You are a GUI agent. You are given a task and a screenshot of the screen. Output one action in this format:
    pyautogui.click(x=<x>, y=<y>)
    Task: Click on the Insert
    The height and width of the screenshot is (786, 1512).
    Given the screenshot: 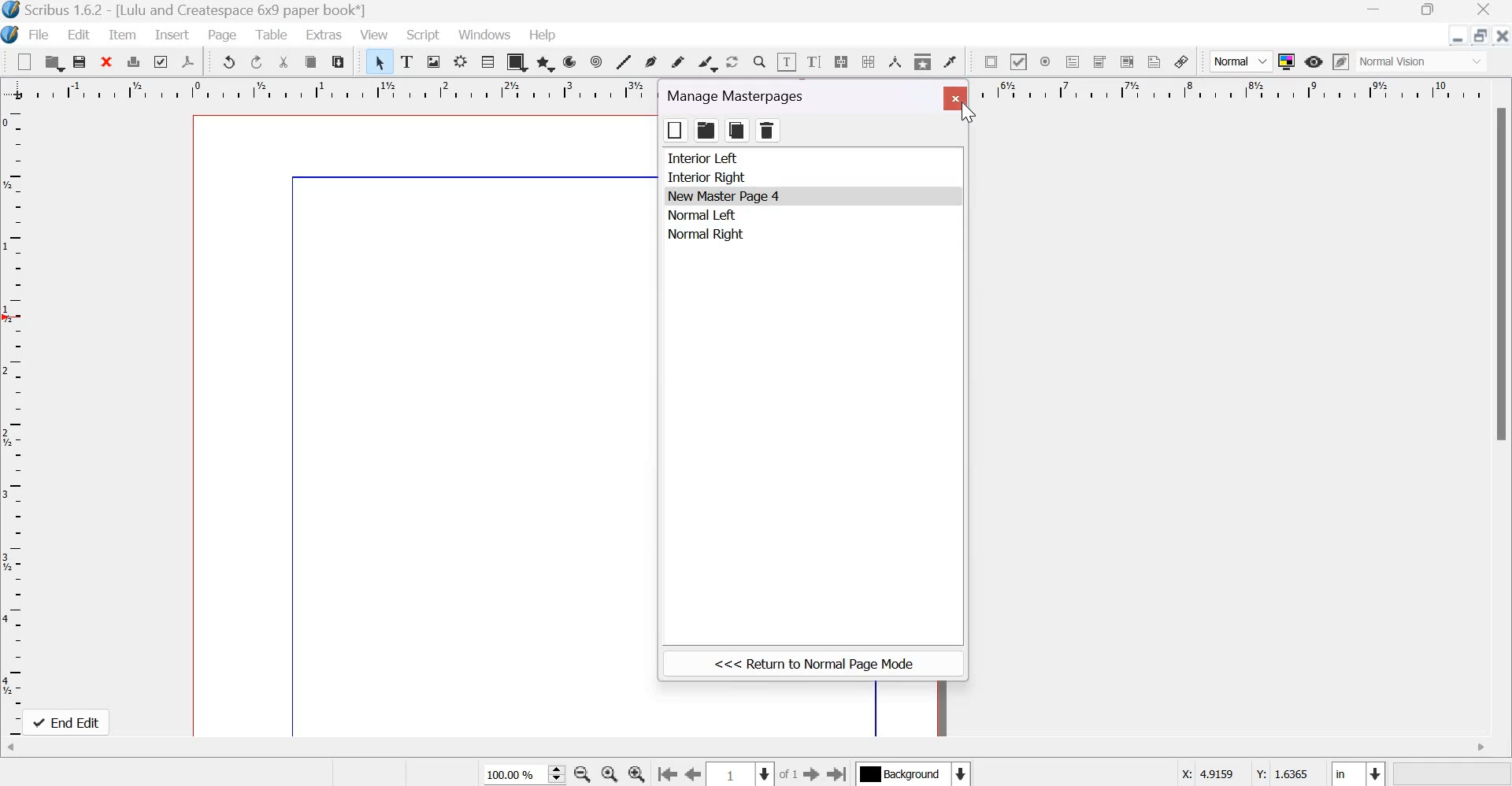 What is the action you would take?
    pyautogui.click(x=172, y=35)
    